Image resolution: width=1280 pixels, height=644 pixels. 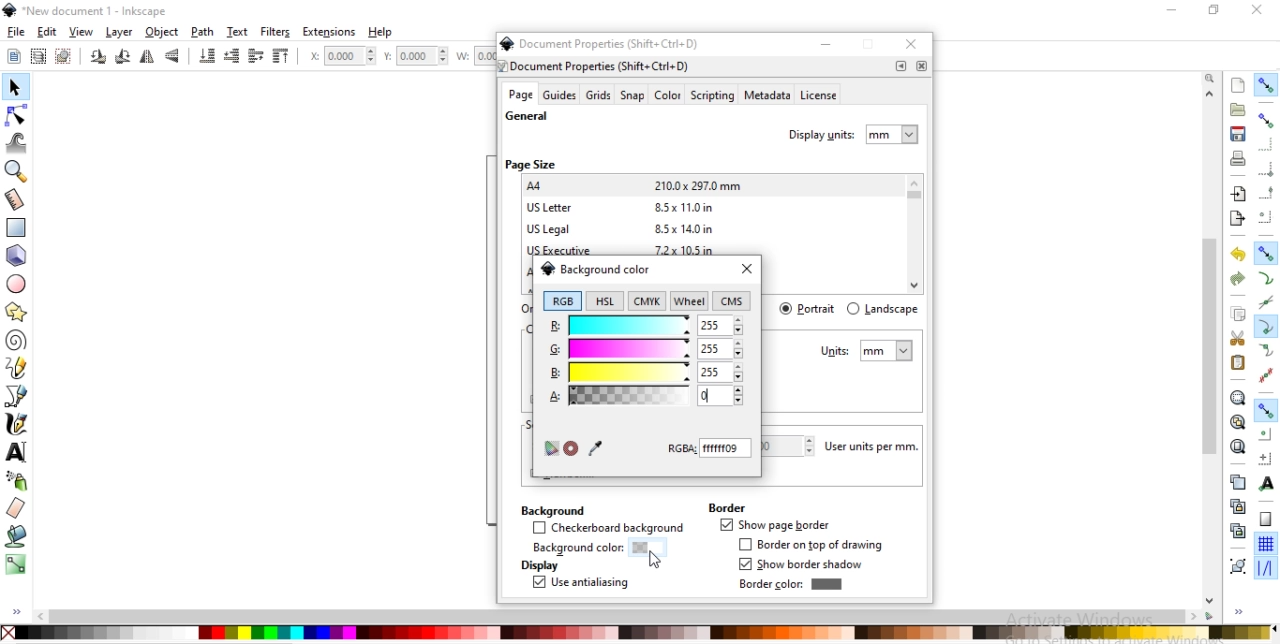 What do you see at coordinates (1237, 446) in the screenshot?
I see `zoom to fit page` at bounding box center [1237, 446].